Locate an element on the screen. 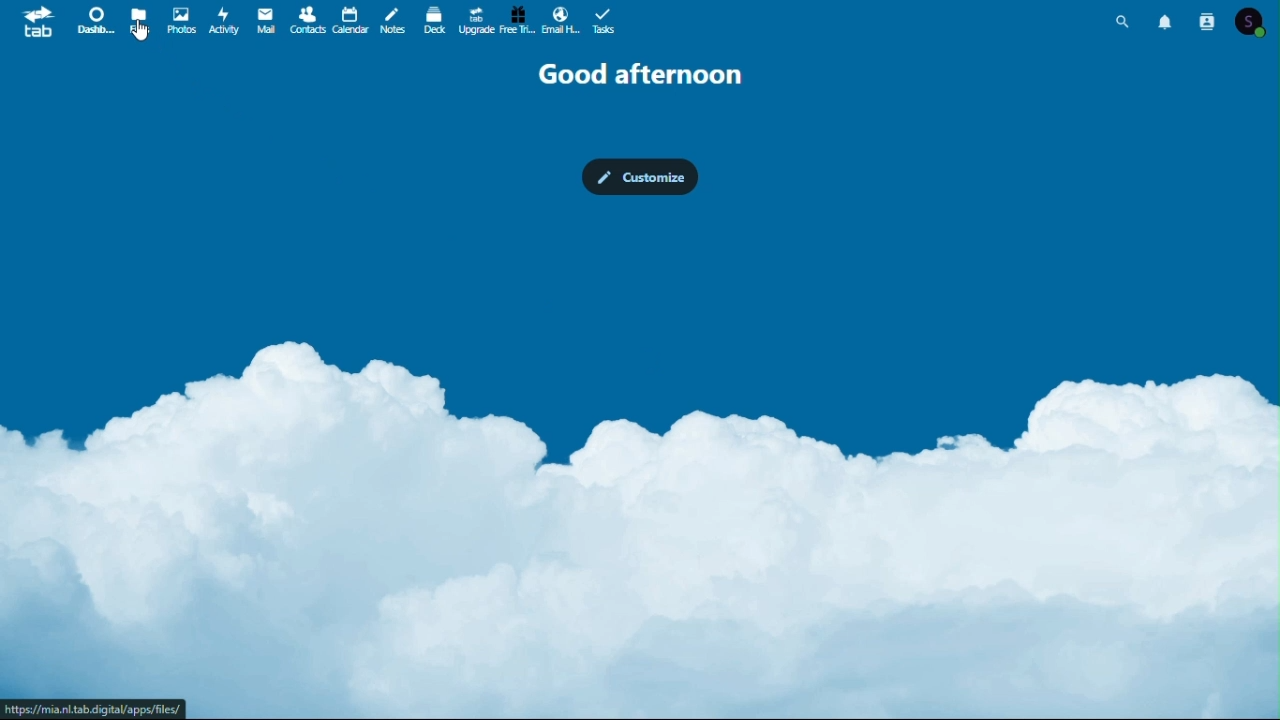 This screenshot has height=720, width=1280. notes is located at coordinates (394, 20).